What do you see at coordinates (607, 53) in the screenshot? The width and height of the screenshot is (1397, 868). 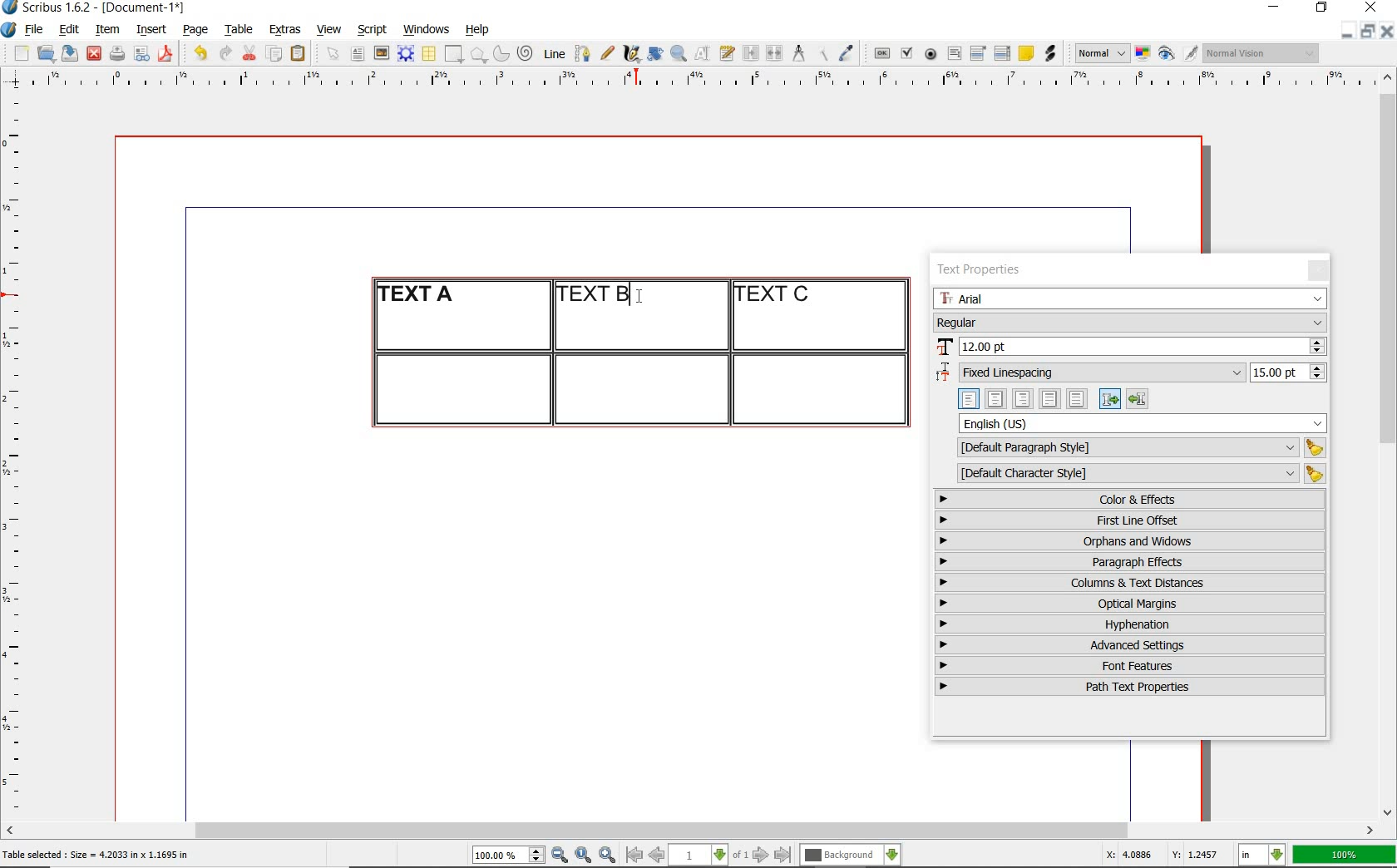 I see `freehand line` at bounding box center [607, 53].